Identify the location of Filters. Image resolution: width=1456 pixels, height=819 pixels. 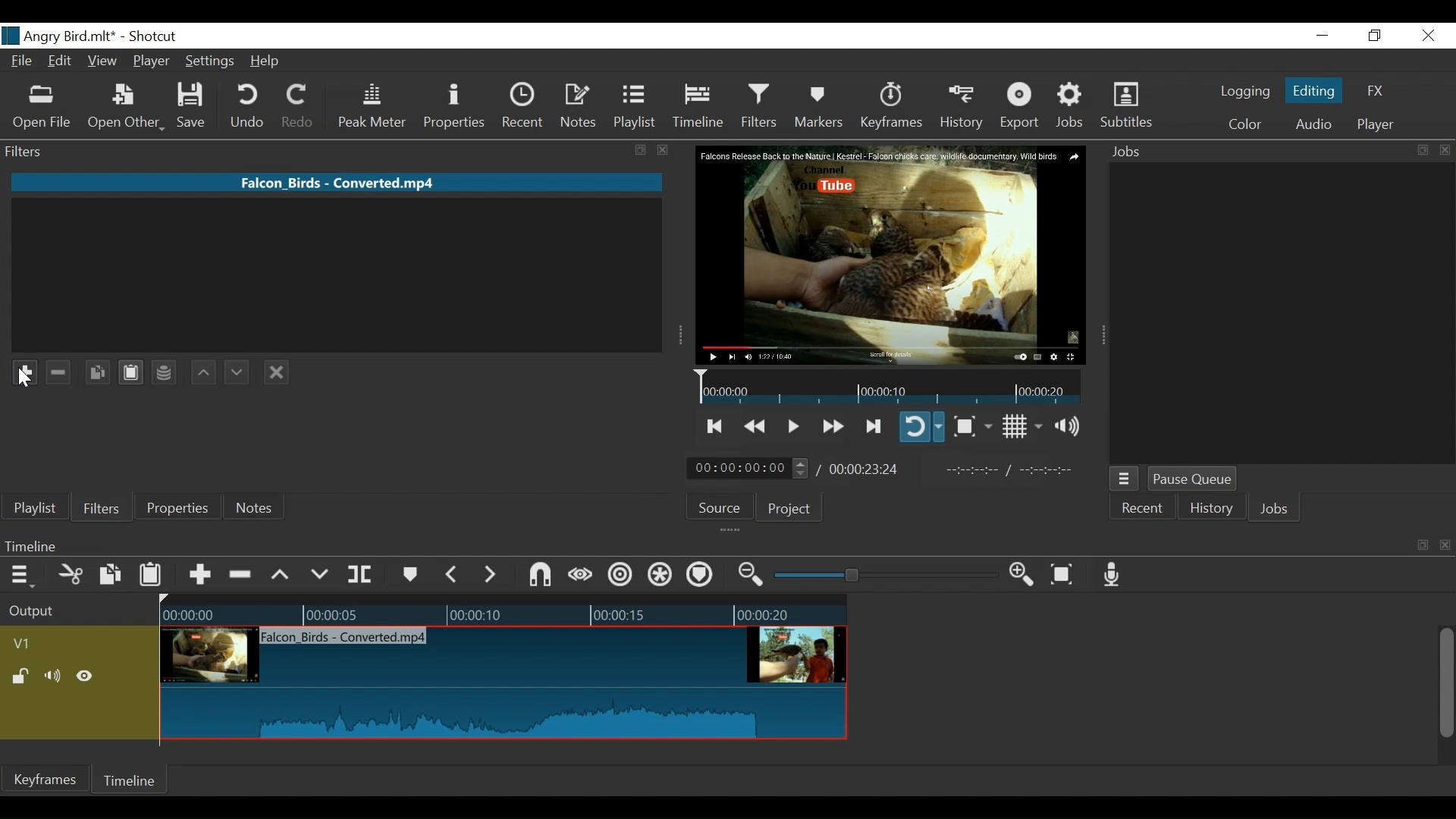
(99, 507).